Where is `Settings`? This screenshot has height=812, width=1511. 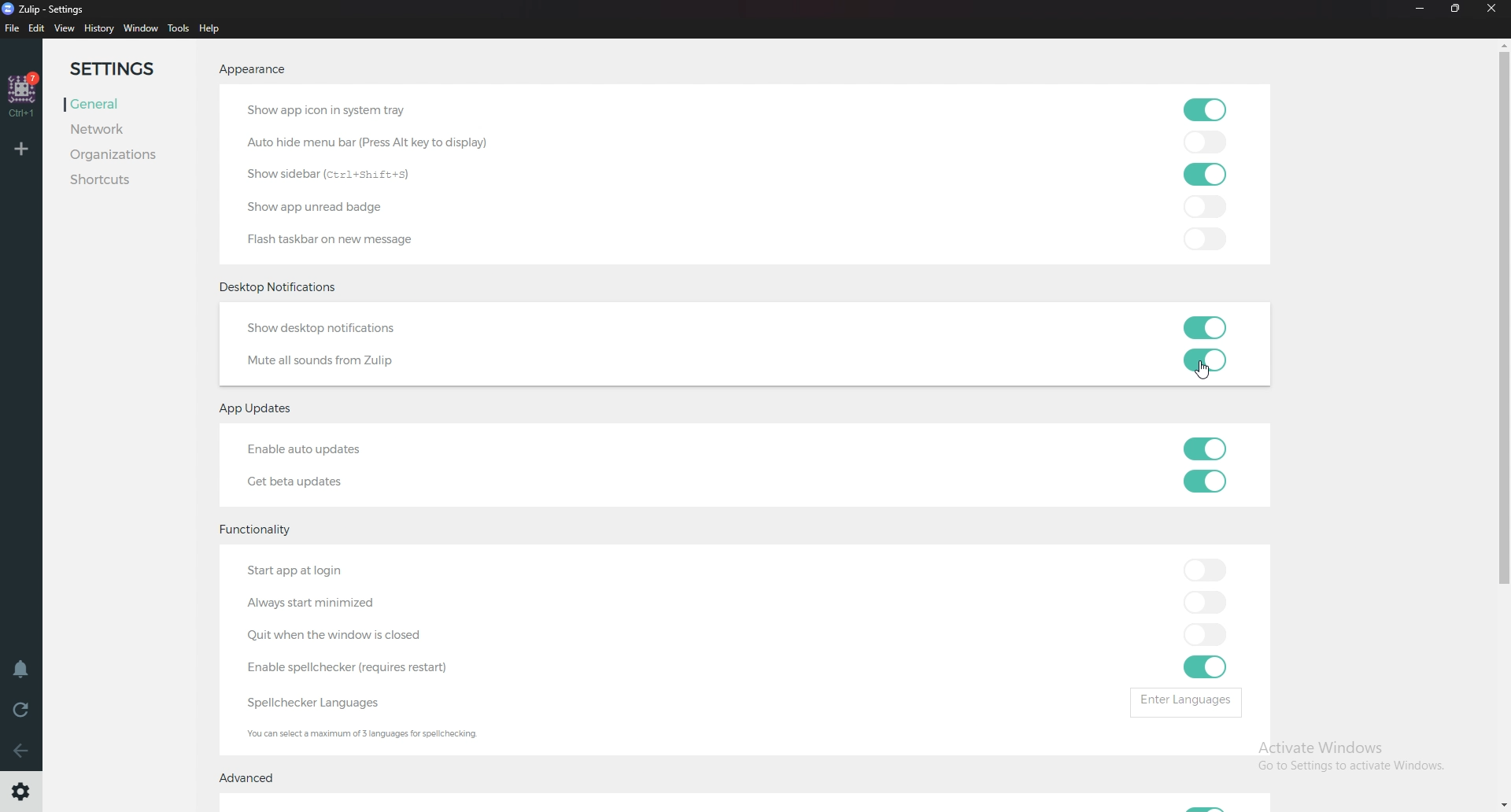
Settings is located at coordinates (112, 69).